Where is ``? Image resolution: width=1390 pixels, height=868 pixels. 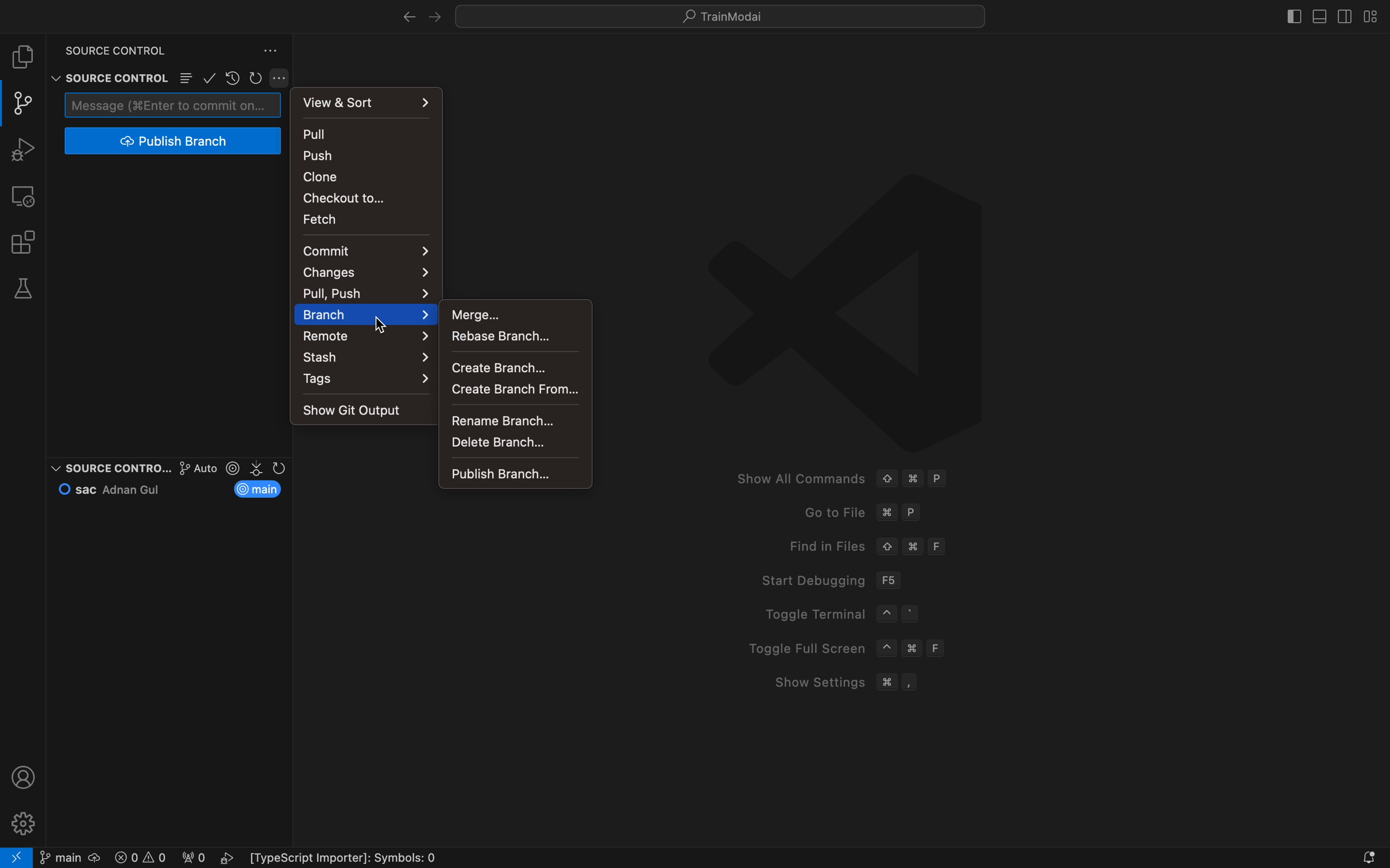
 is located at coordinates (367, 336).